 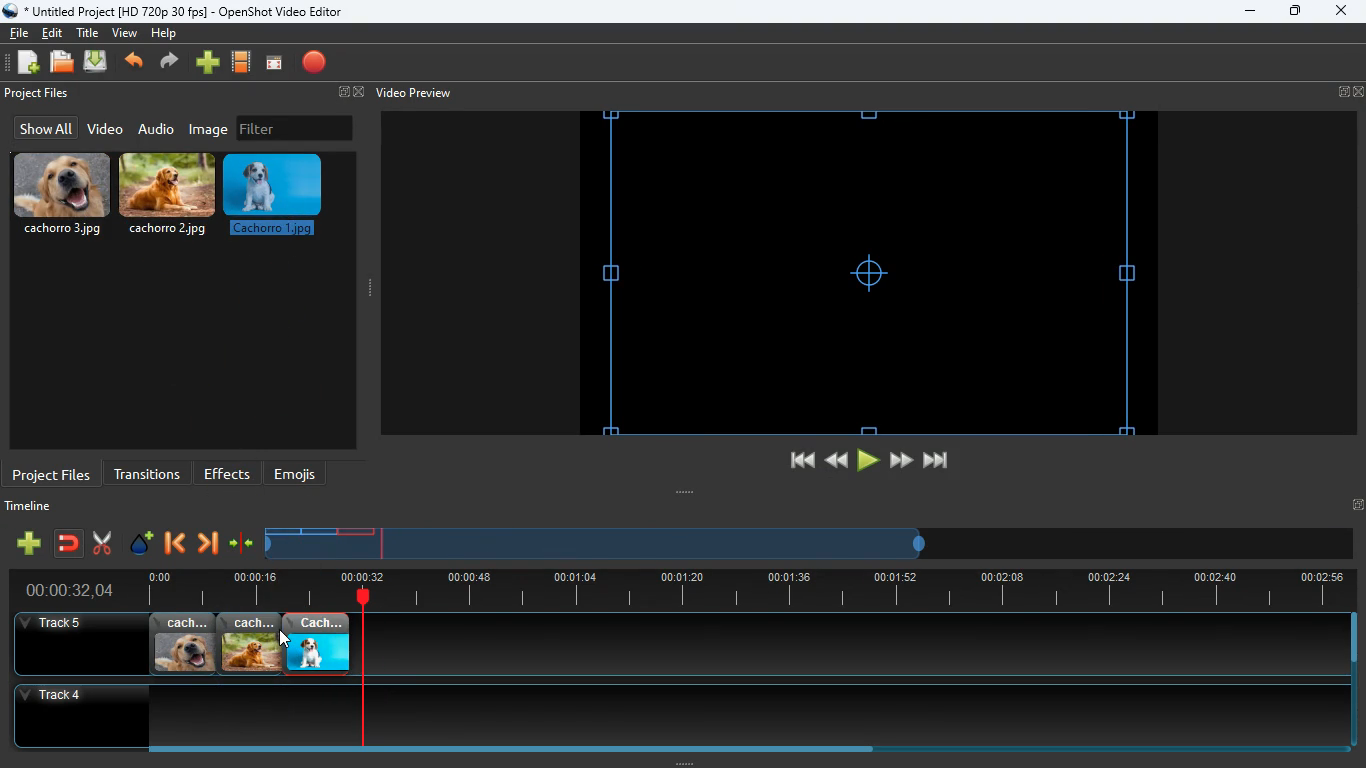 I want to click on image 2 timeline, so click(x=322, y=531).